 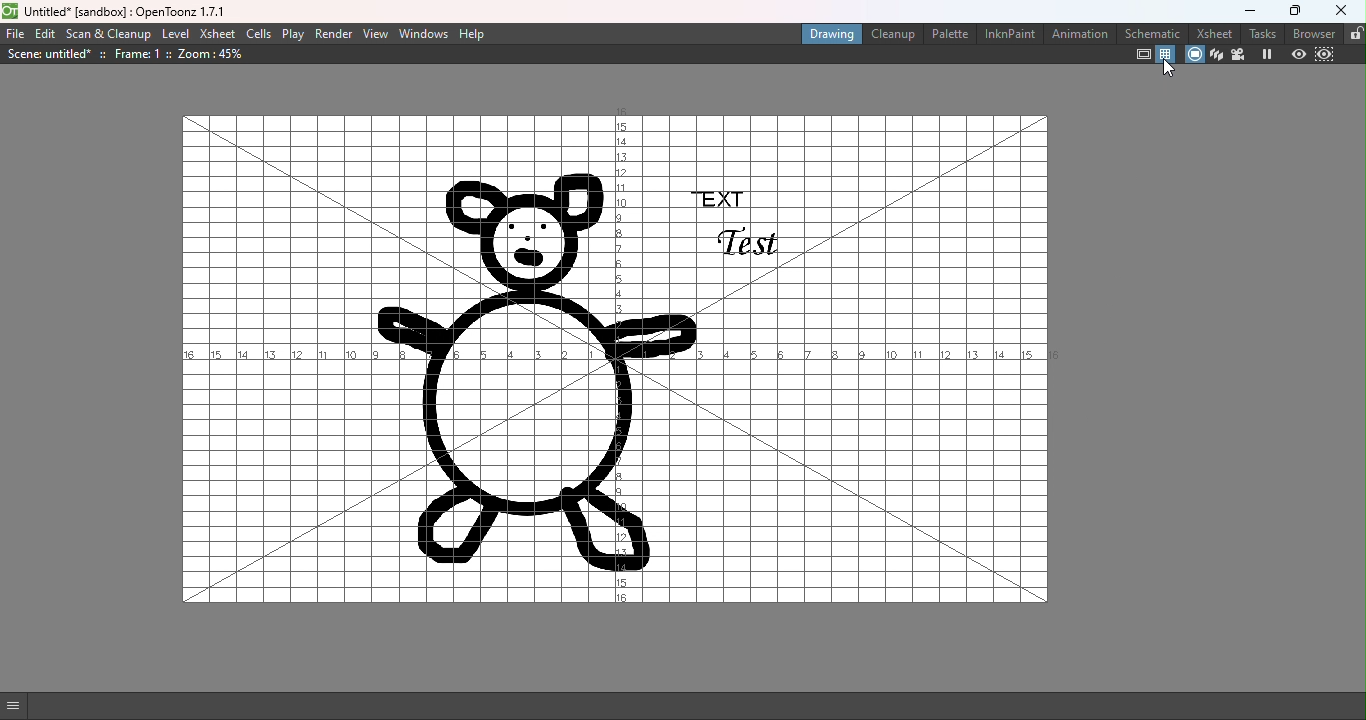 I want to click on Tasks, so click(x=1262, y=33).